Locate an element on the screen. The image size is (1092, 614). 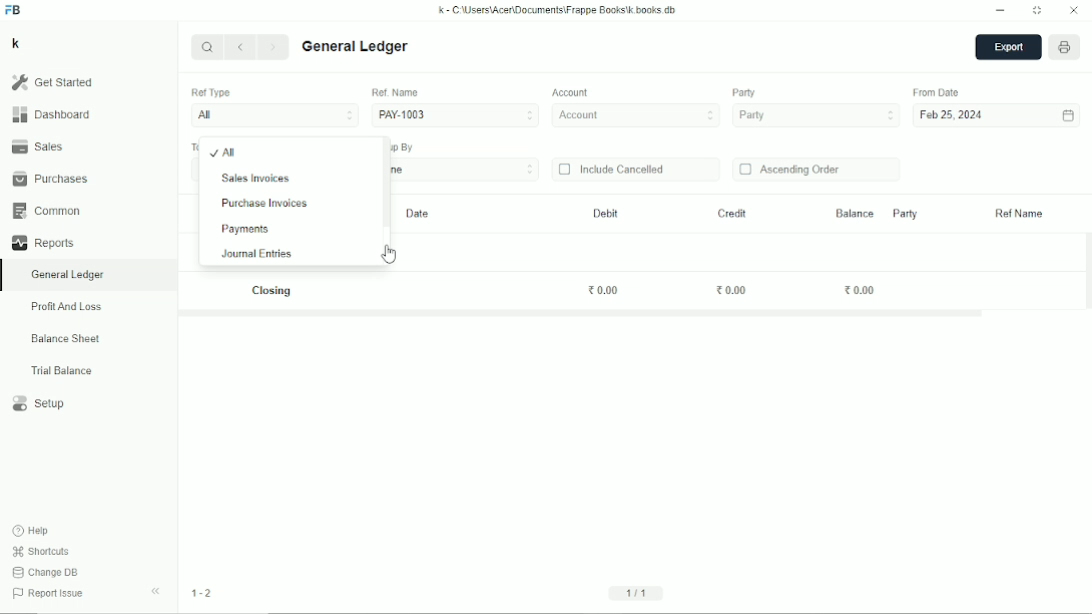
Change DB is located at coordinates (46, 572).